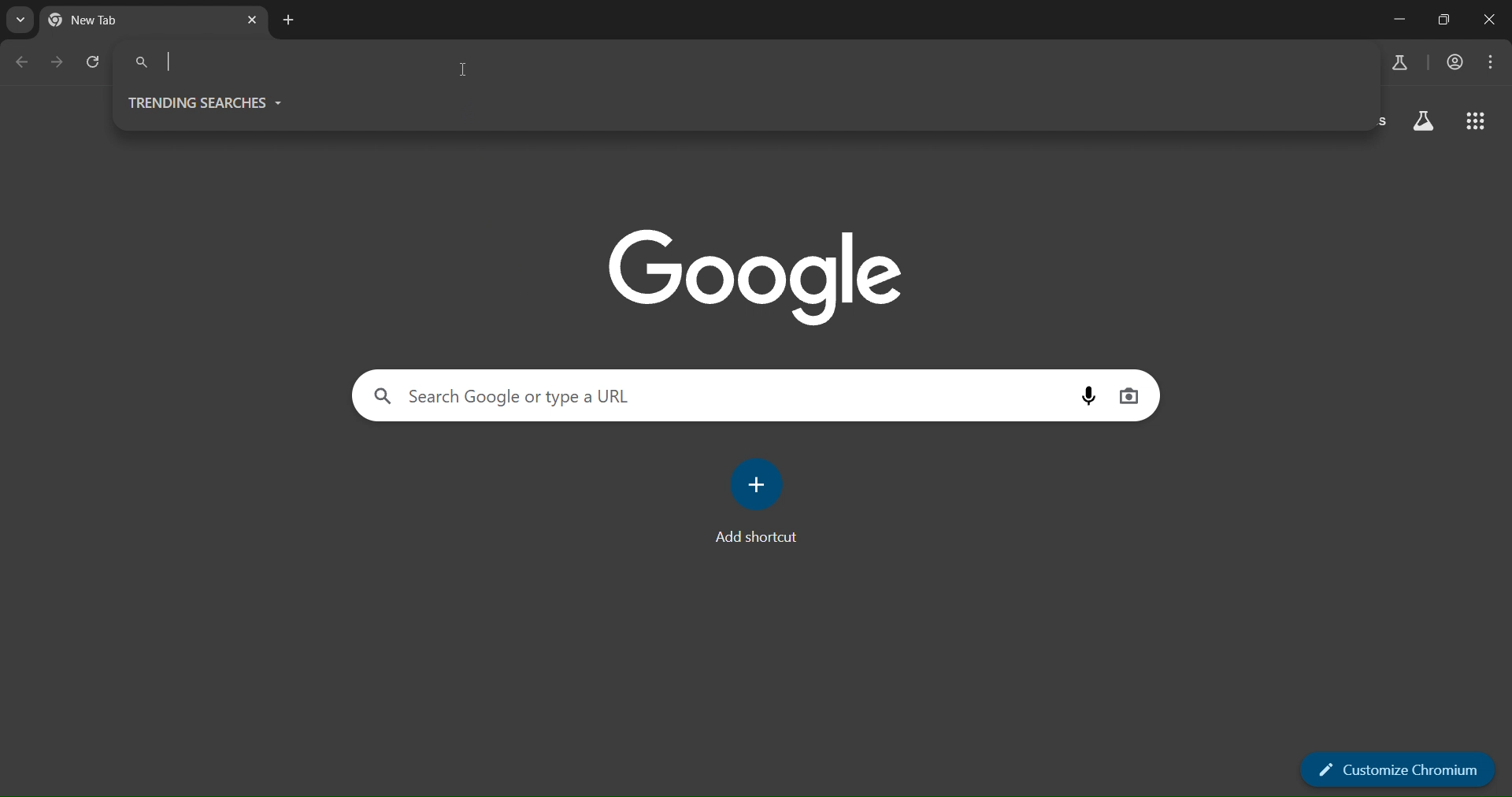 The width and height of the screenshot is (1512, 797). What do you see at coordinates (61, 65) in the screenshot?
I see `go forward one page` at bounding box center [61, 65].